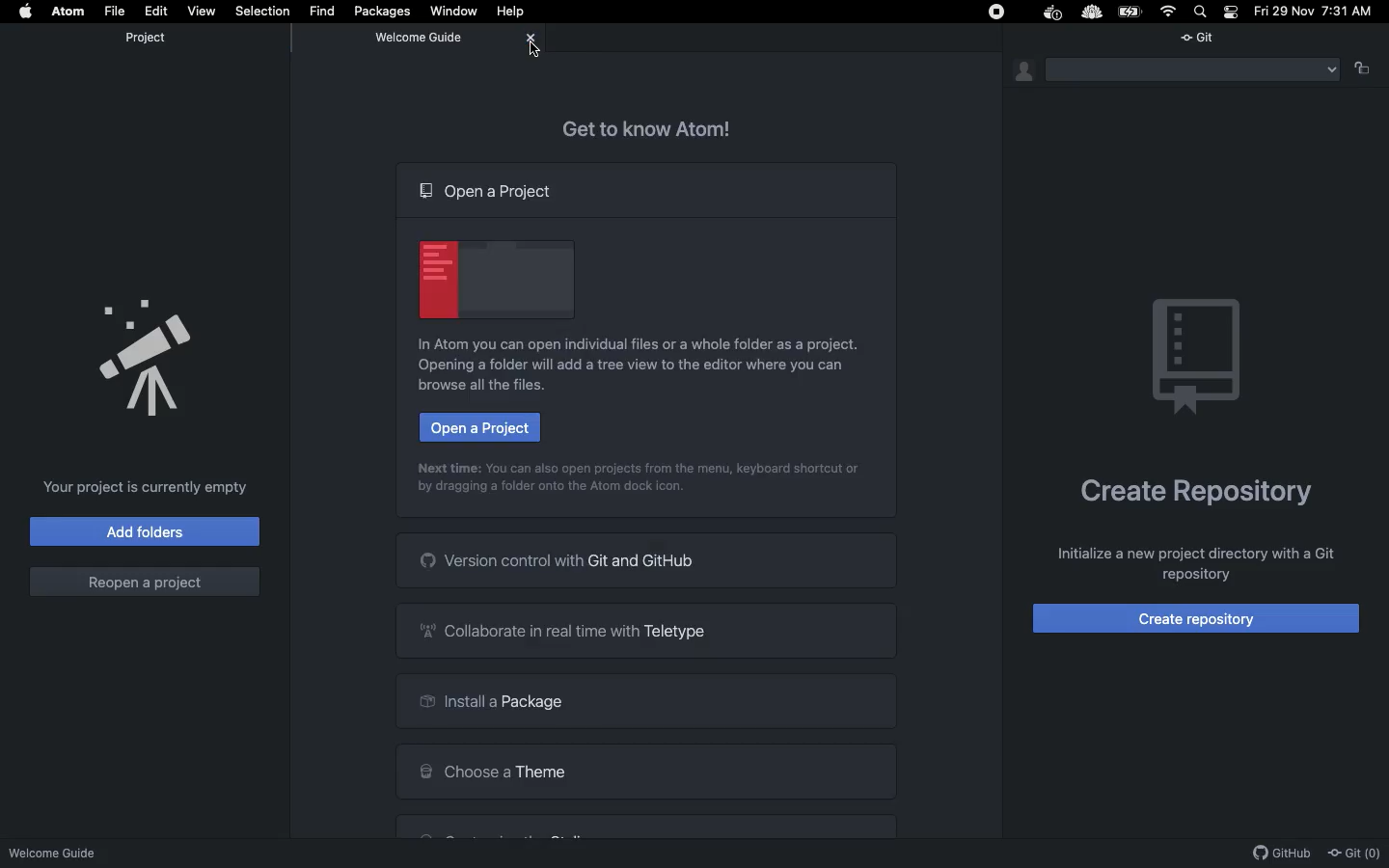 This screenshot has height=868, width=1389. I want to click on Help, so click(513, 12).